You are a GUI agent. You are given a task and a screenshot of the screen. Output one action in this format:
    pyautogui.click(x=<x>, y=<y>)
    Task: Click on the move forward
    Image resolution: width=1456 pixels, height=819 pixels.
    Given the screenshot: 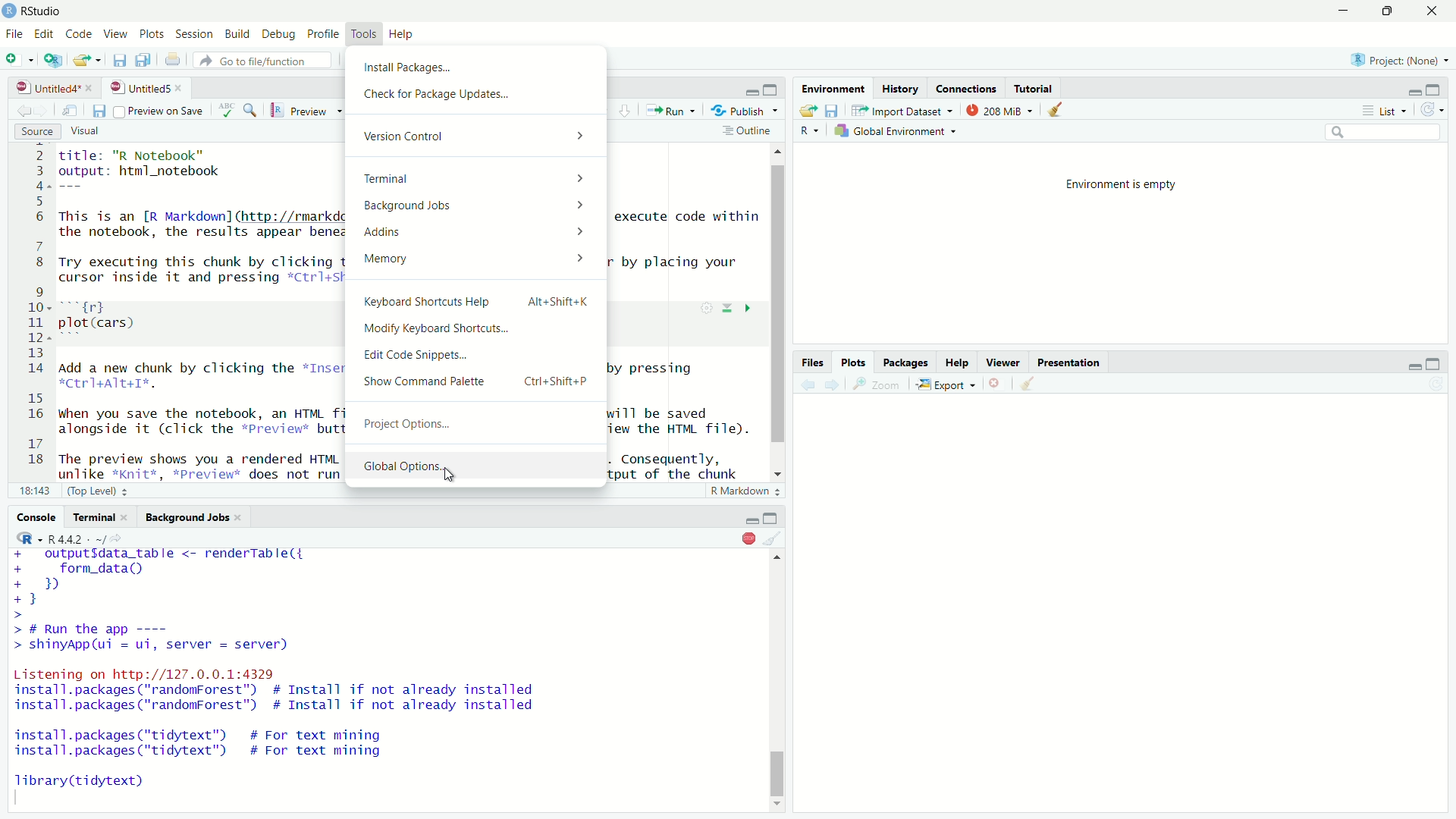 What is the action you would take?
    pyautogui.click(x=831, y=385)
    